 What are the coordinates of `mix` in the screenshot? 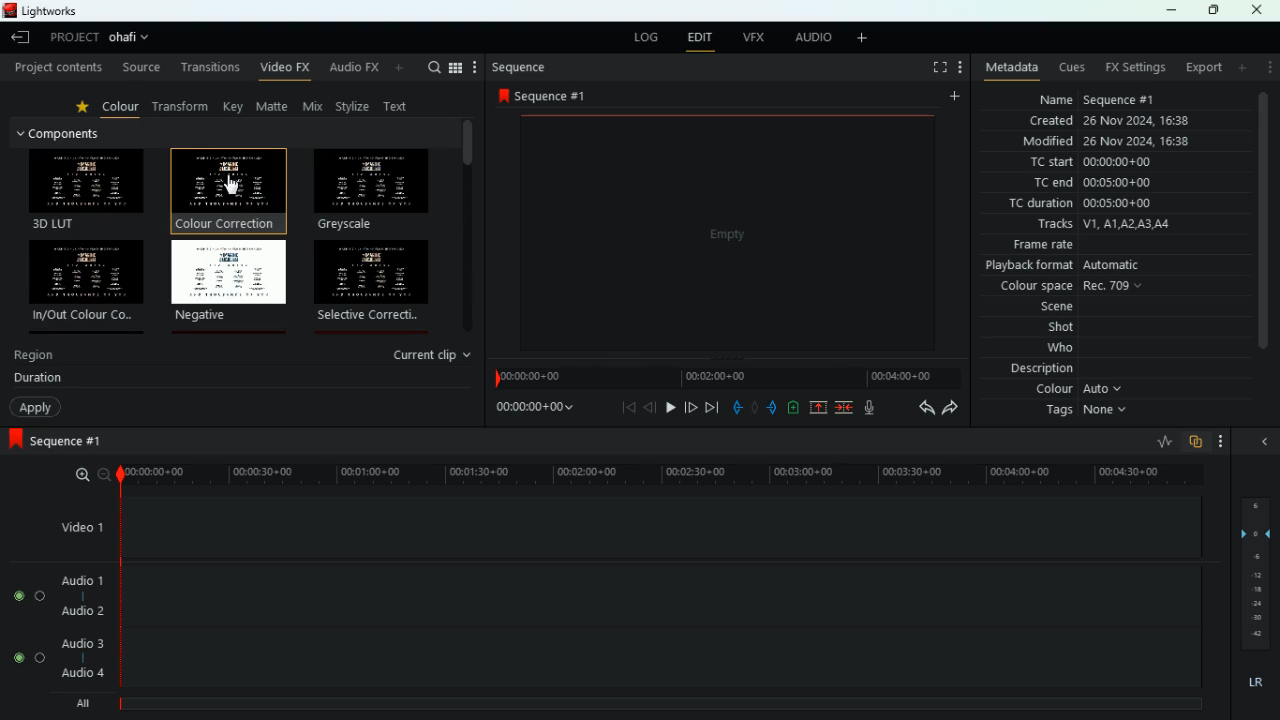 It's located at (315, 107).